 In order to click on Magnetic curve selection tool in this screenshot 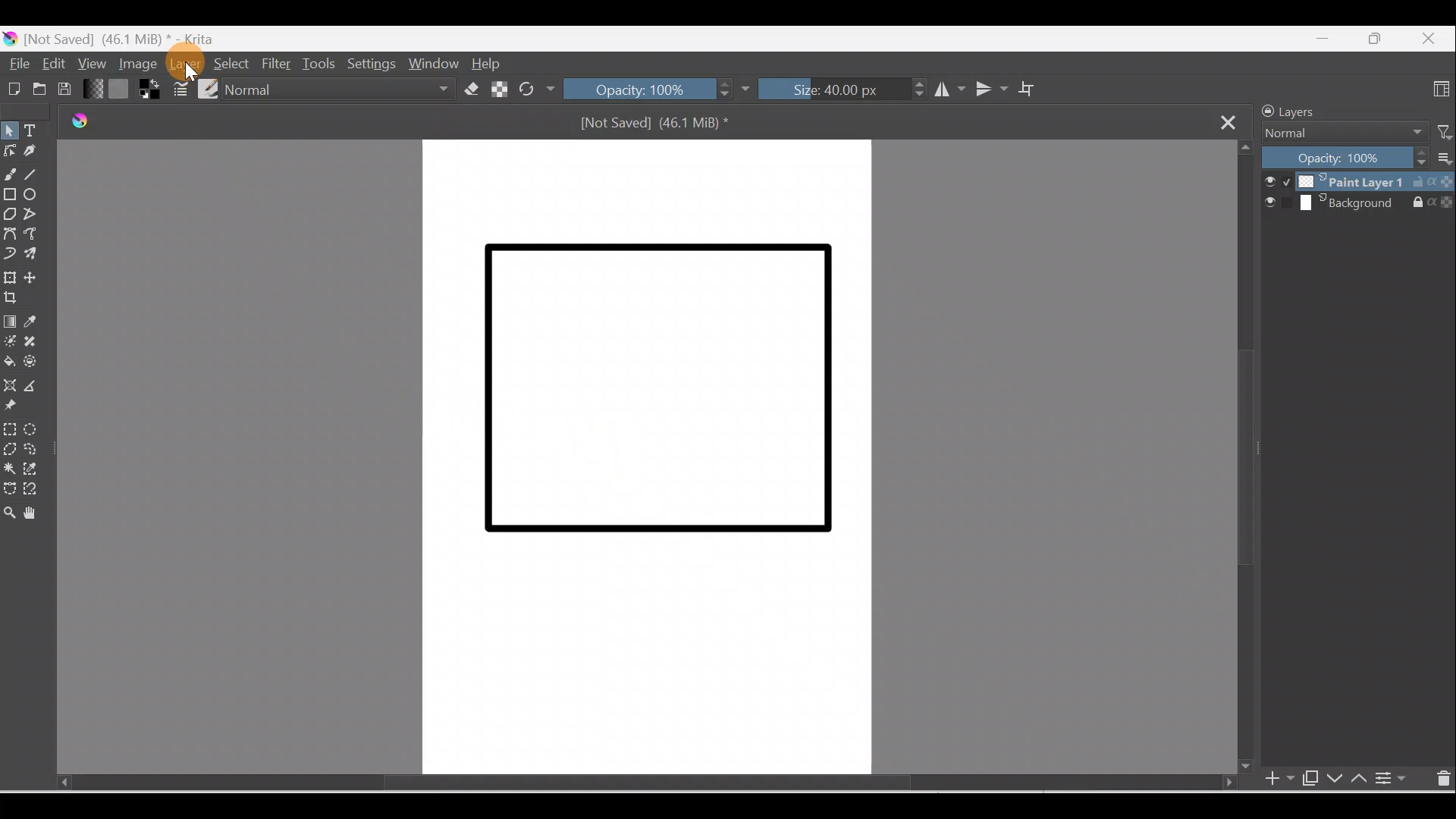, I will do `click(31, 489)`.